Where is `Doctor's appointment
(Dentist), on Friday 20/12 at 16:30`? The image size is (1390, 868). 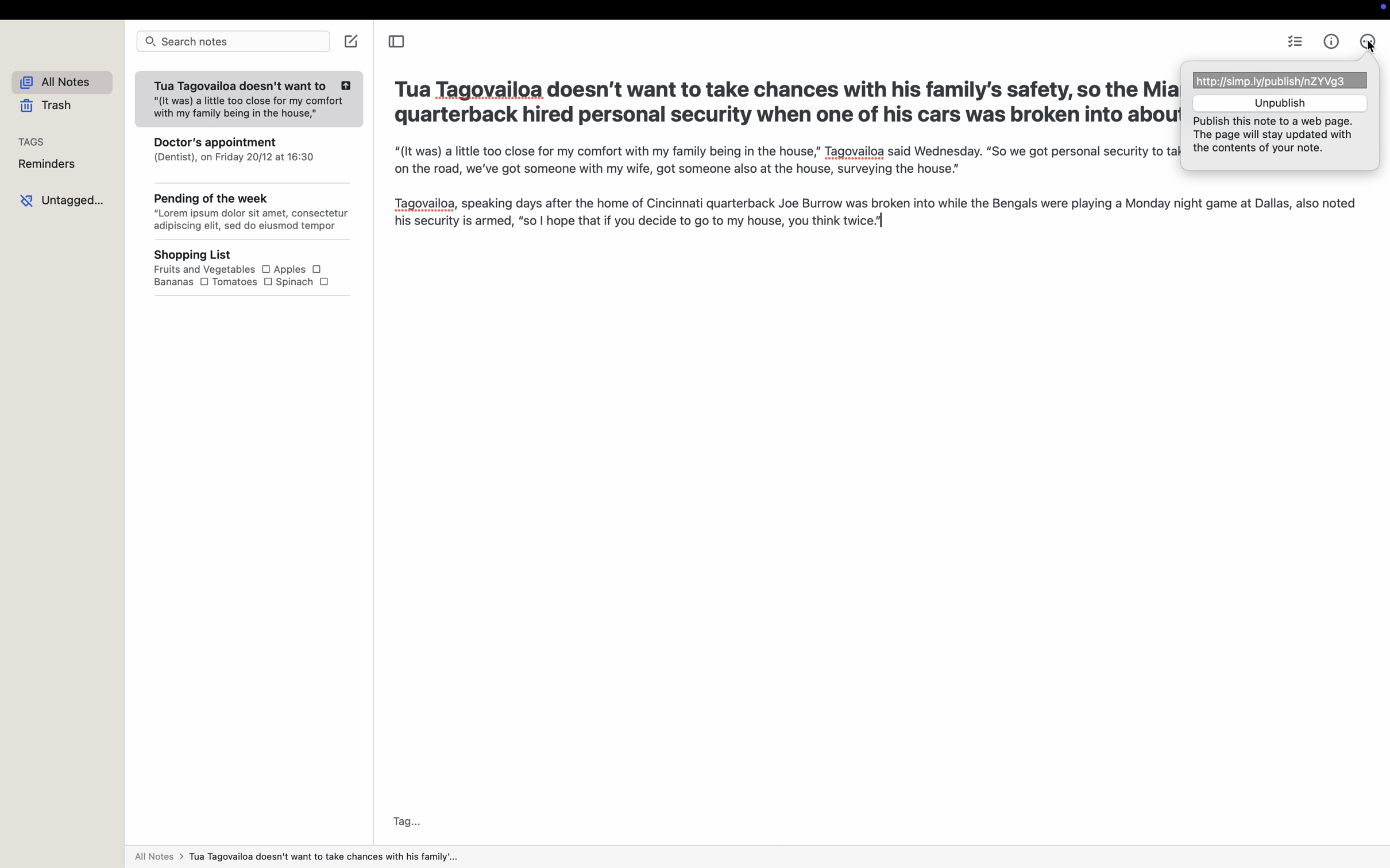
Doctor's appointment
(Dentist), on Friday 20/12 at 16:30 is located at coordinates (251, 156).